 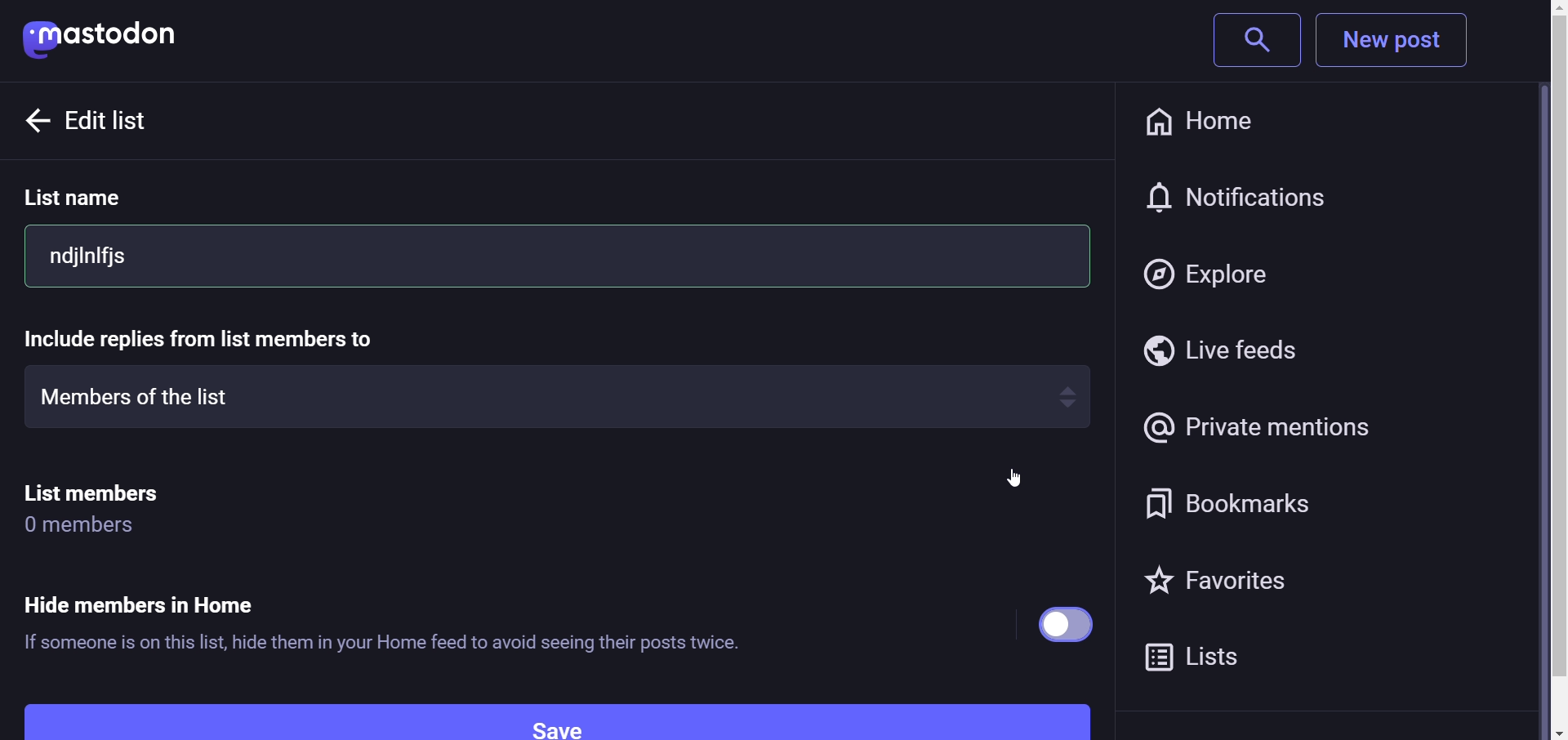 I want to click on list name, so click(x=100, y=200).